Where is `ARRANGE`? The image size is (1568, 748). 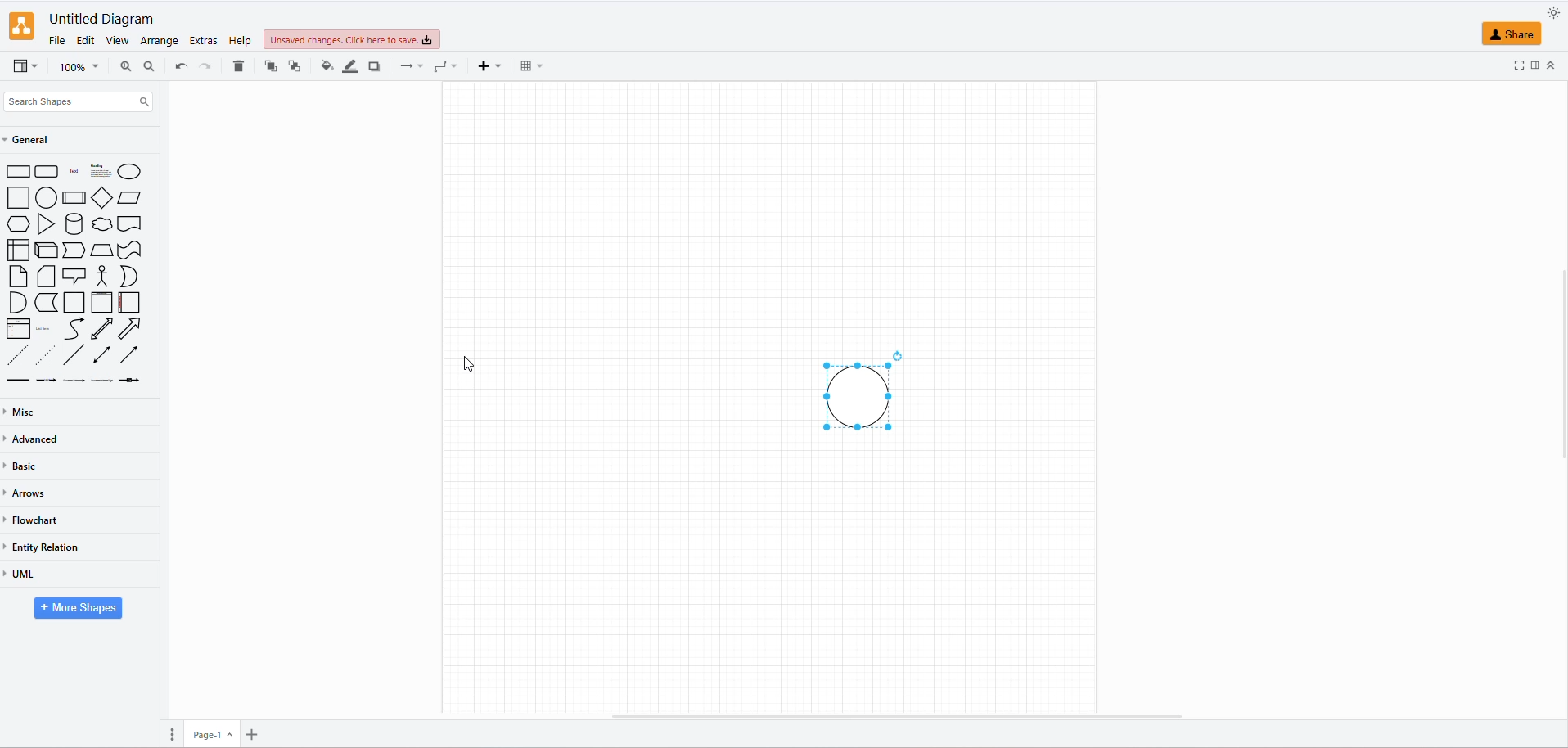
ARRANGE is located at coordinates (158, 43).